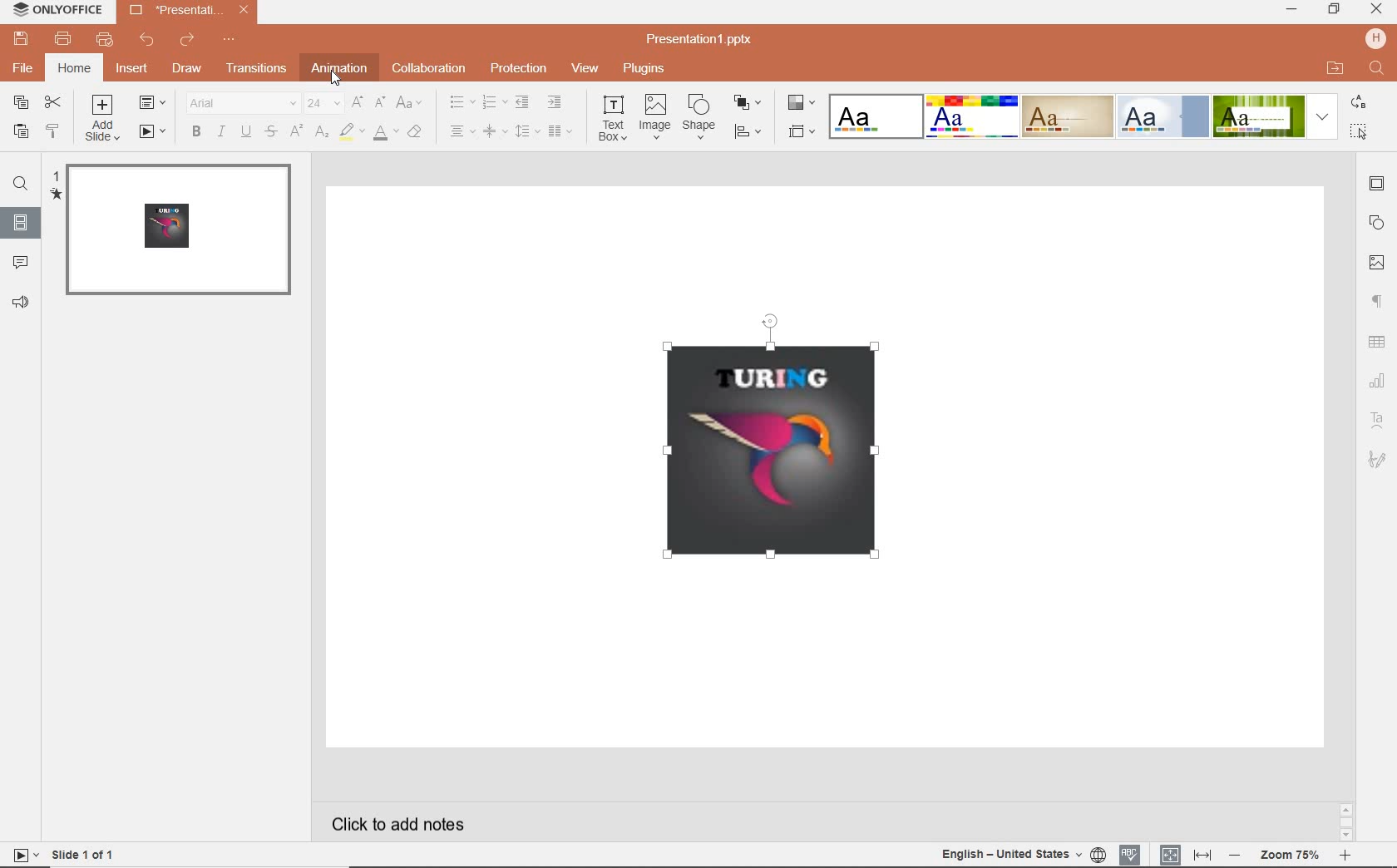 The width and height of the screenshot is (1397, 868). Describe the element at coordinates (146, 38) in the screenshot. I see `undo` at that location.